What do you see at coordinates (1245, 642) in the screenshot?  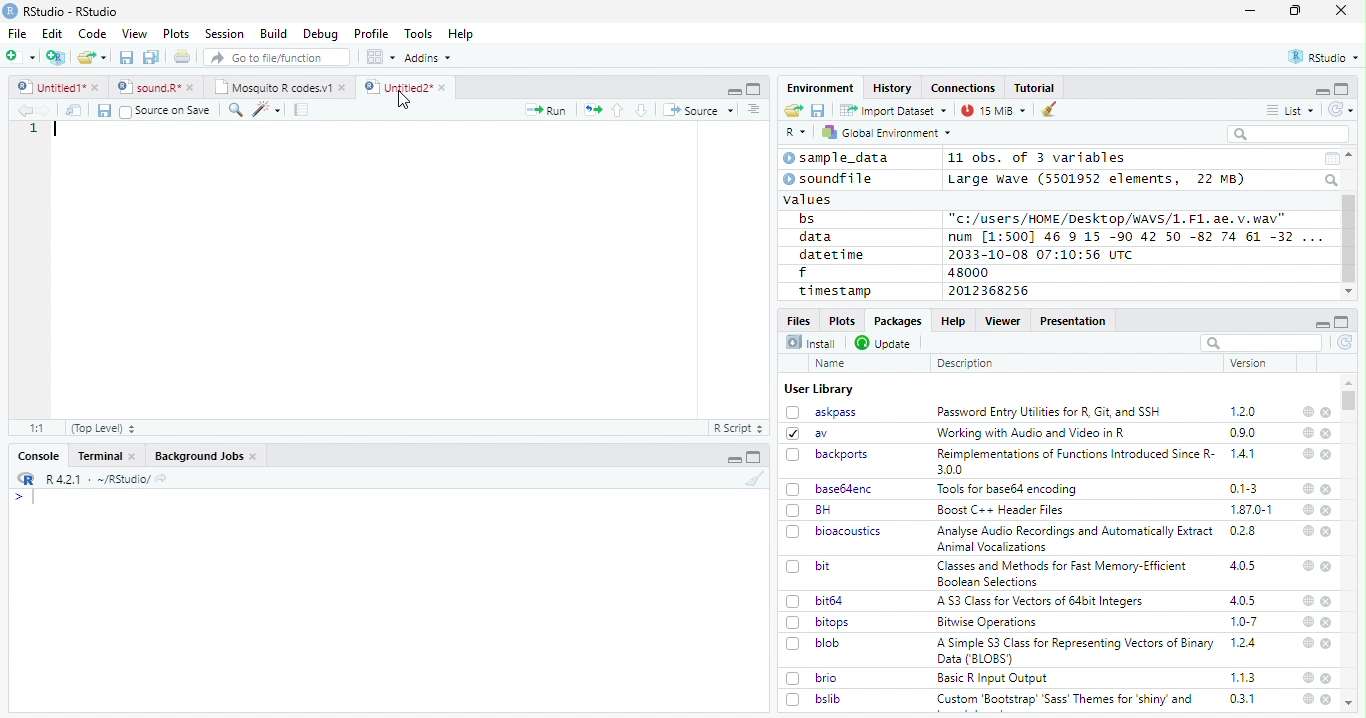 I see `1.2.4` at bounding box center [1245, 642].